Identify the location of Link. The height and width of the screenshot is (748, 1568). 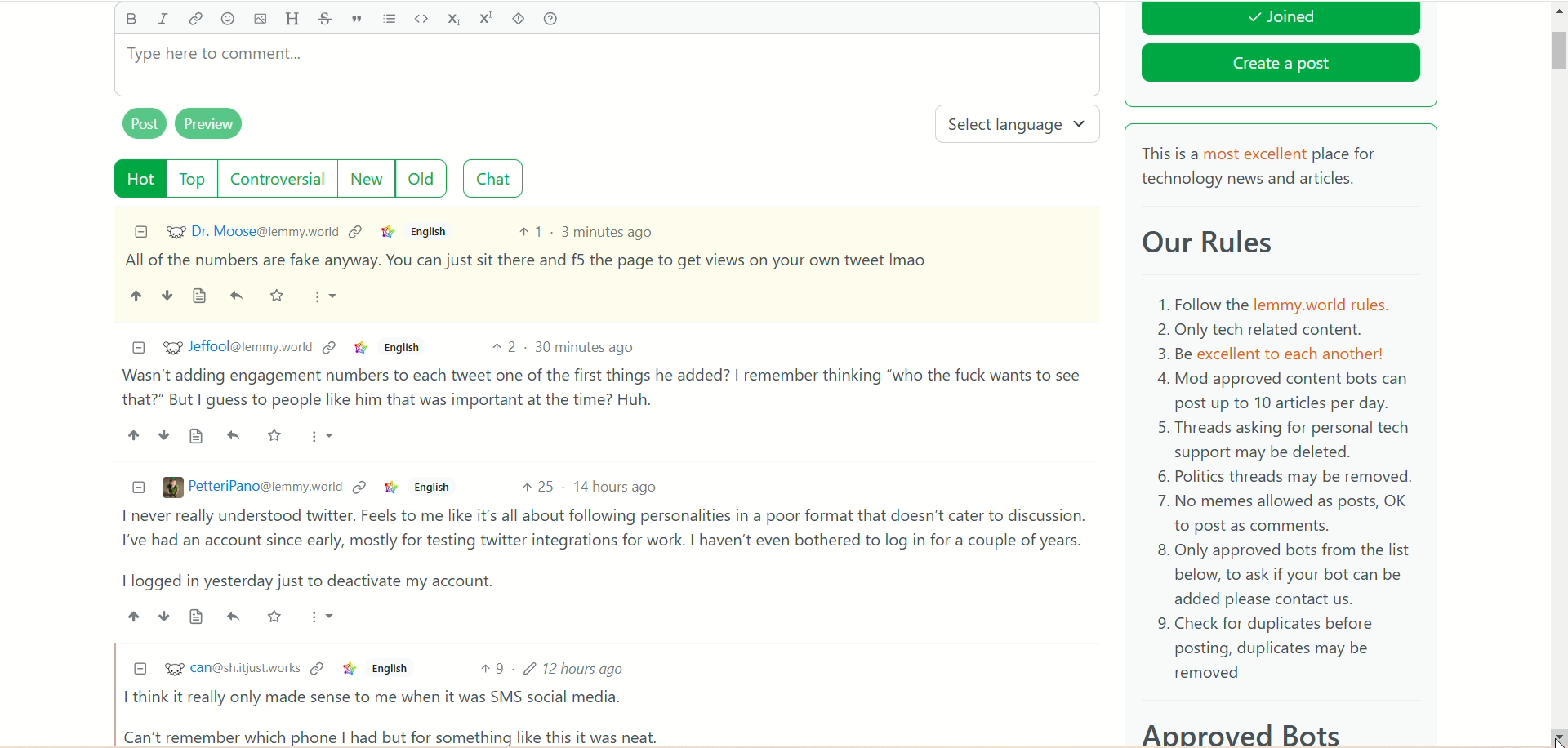
(357, 231).